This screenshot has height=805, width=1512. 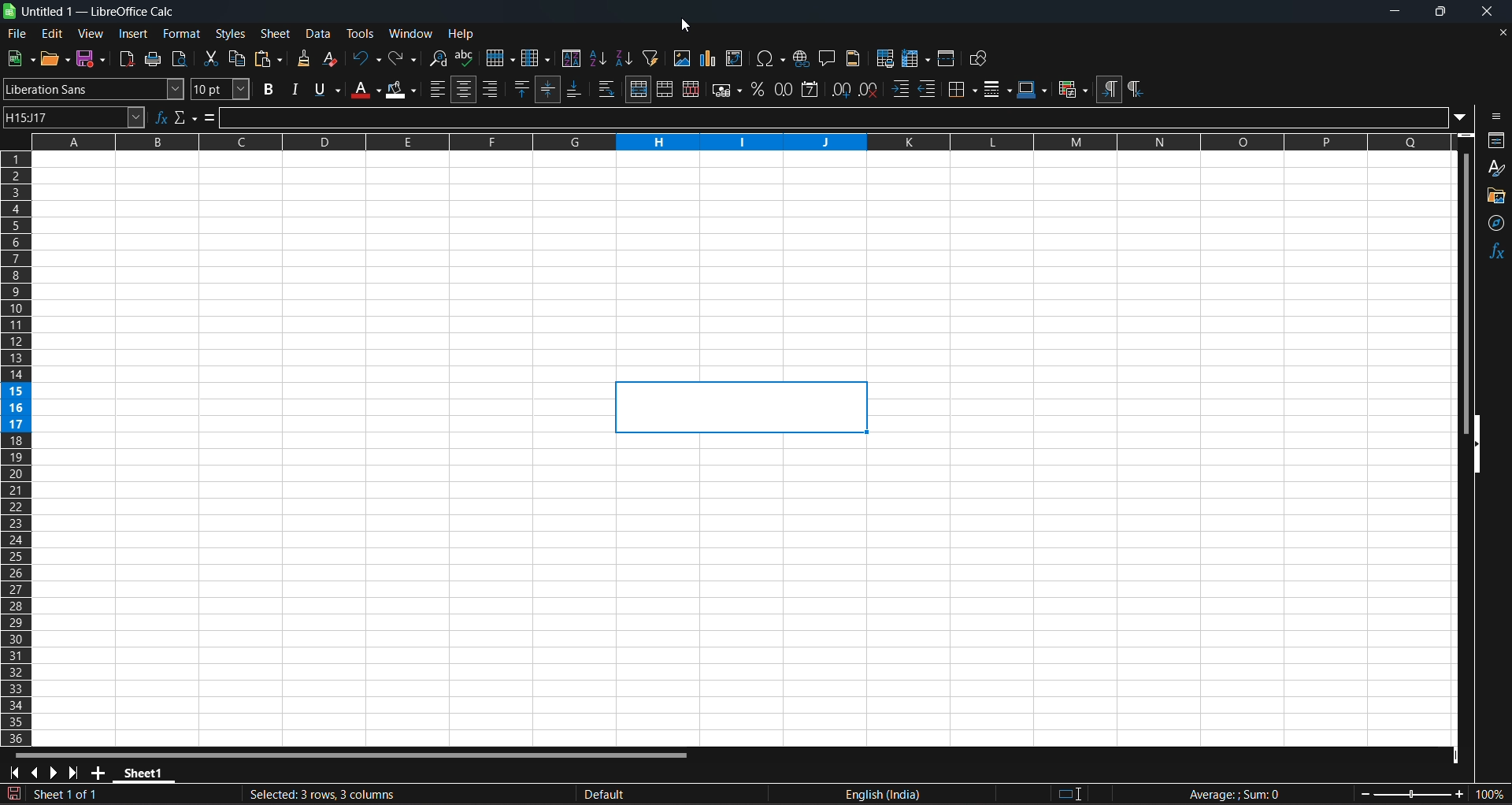 I want to click on sort descending, so click(x=624, y=58).